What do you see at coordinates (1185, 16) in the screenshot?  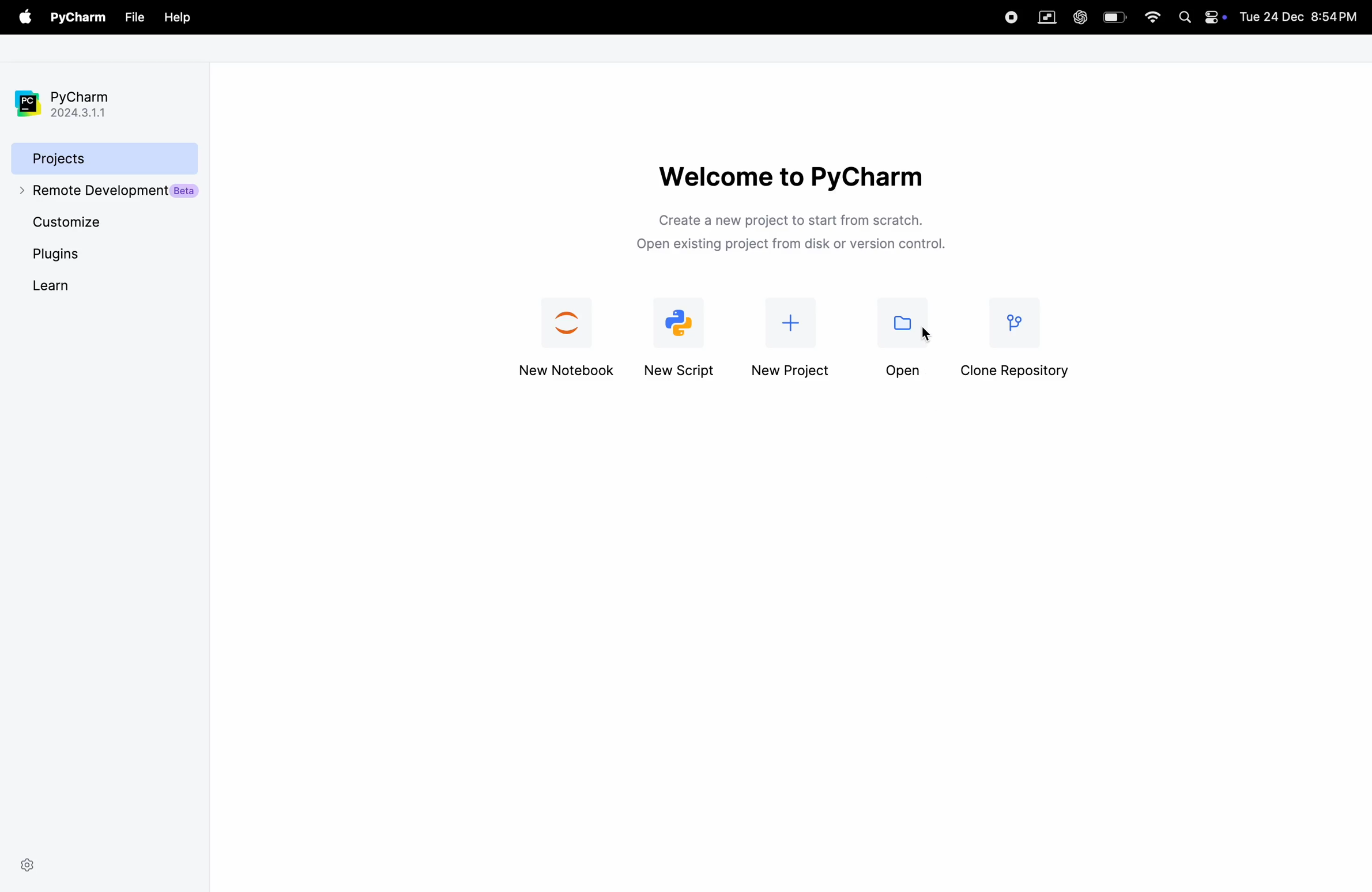 I see `search` at bounding box center [1185, 16].